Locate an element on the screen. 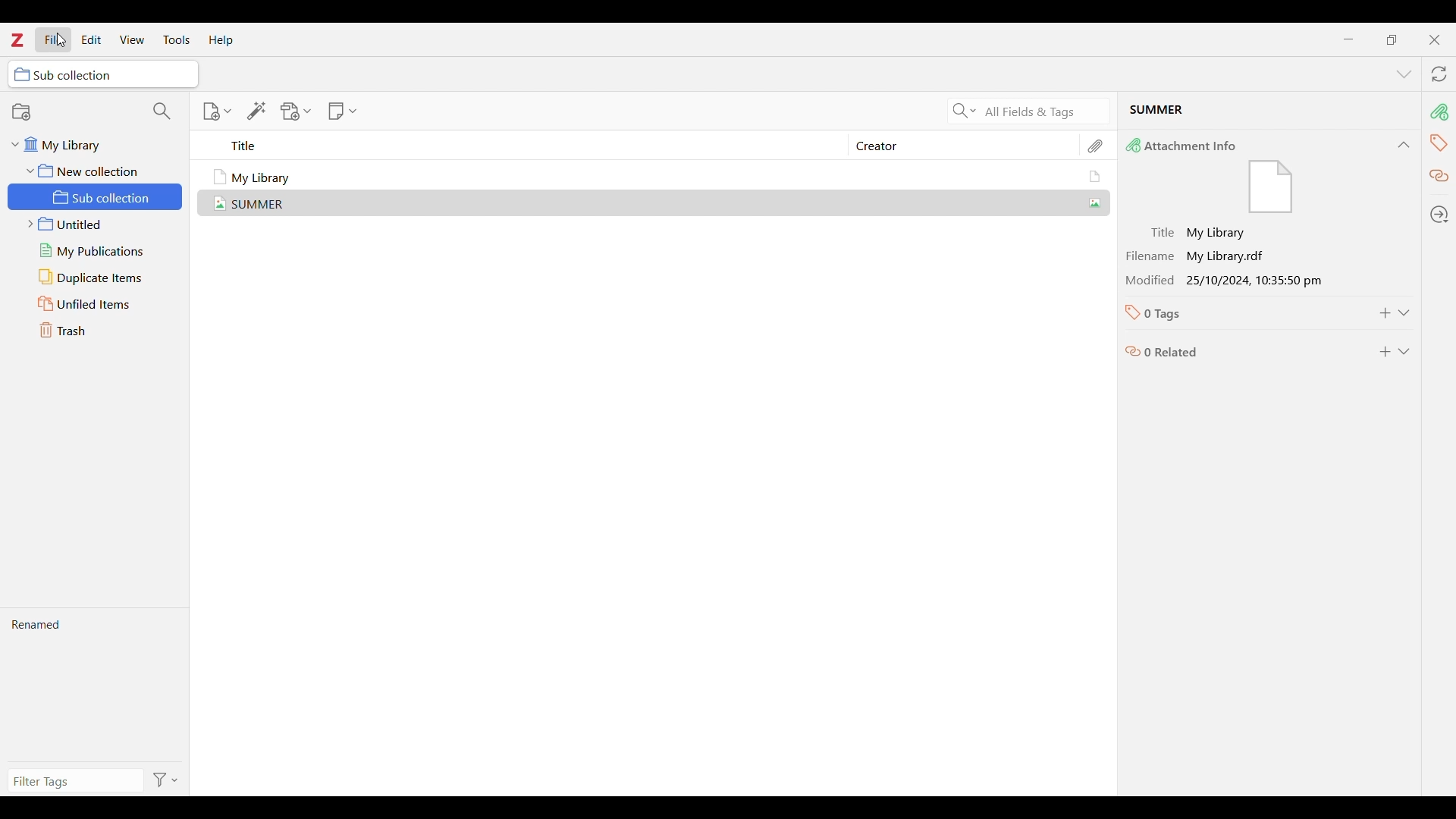 Image resolution: width=1456 pixels, height=819 pixels. Sub collection is located at coordinates (97, 196).